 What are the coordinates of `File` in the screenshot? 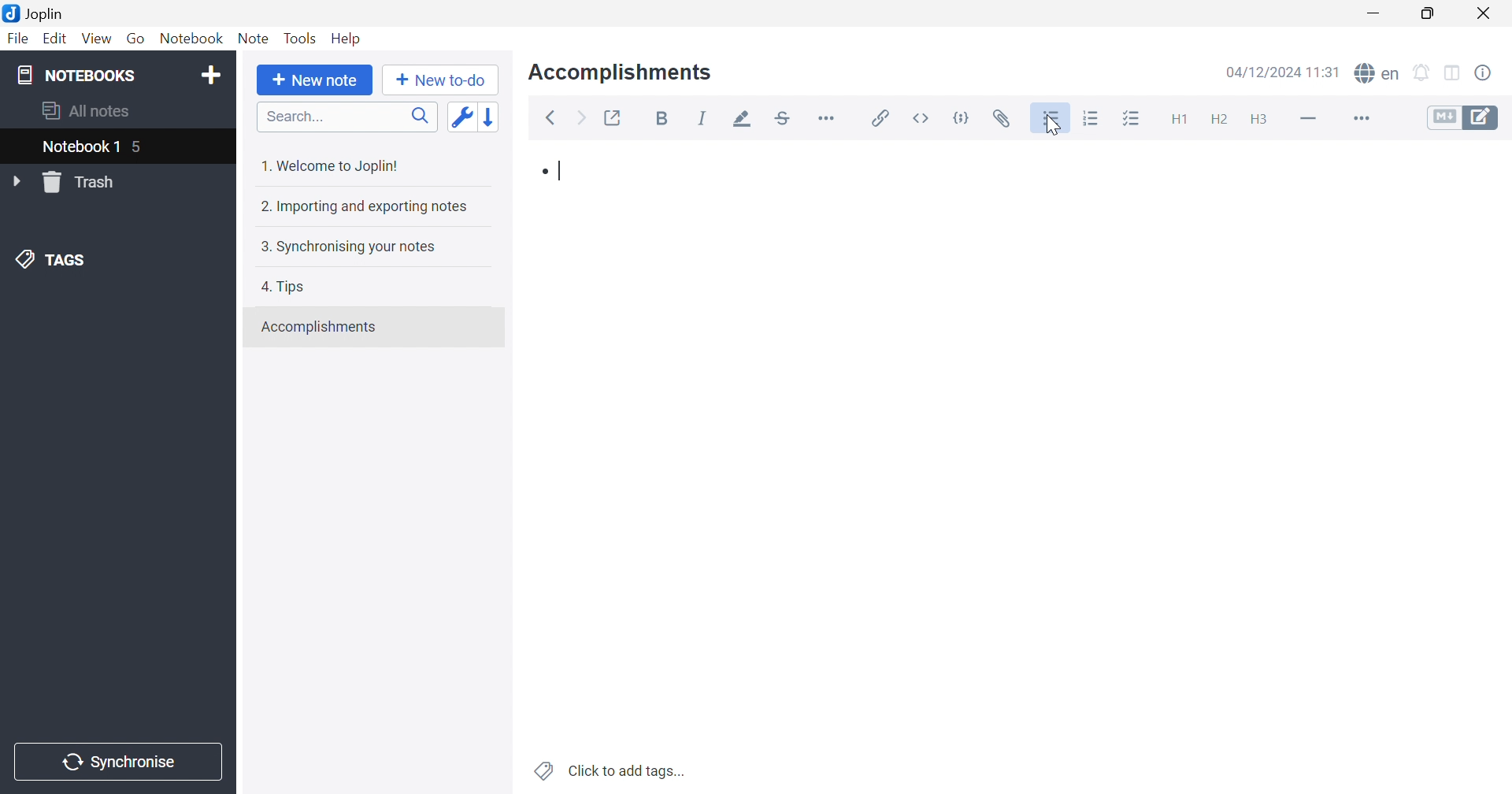 It's located at (20, 38).